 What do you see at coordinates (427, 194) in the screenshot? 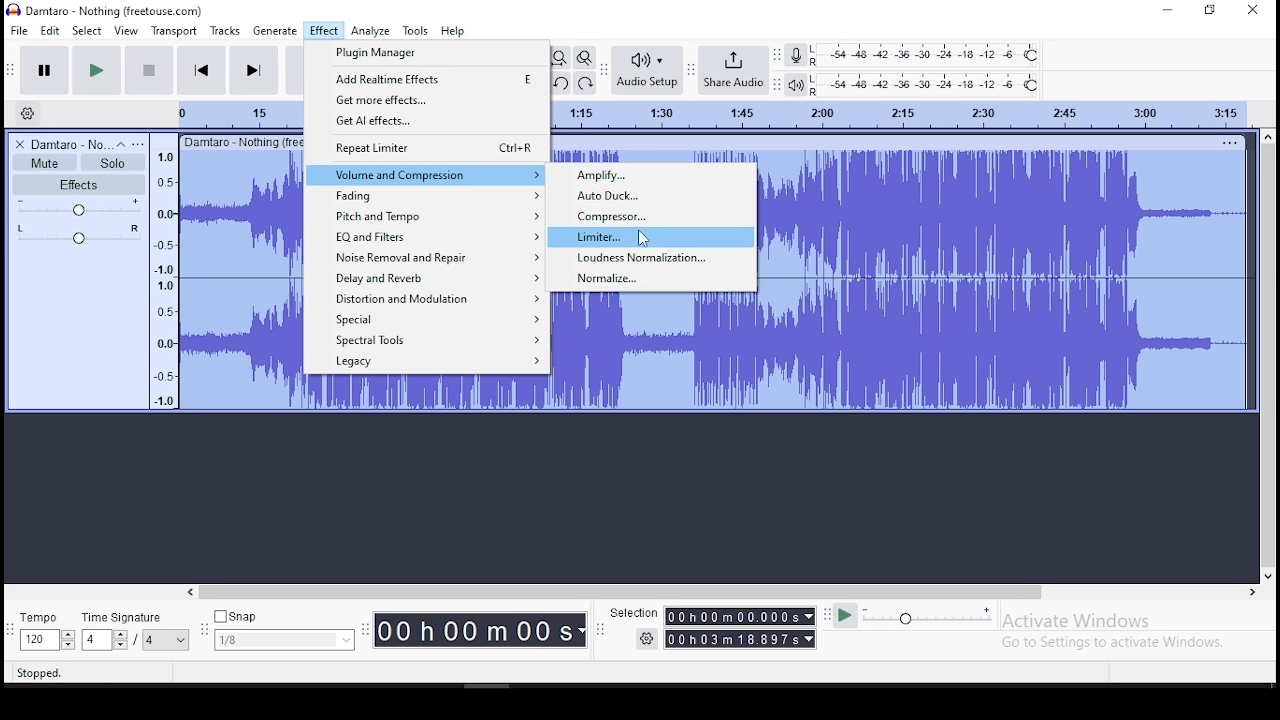
I see `fading` at bounding box center [427, 194].